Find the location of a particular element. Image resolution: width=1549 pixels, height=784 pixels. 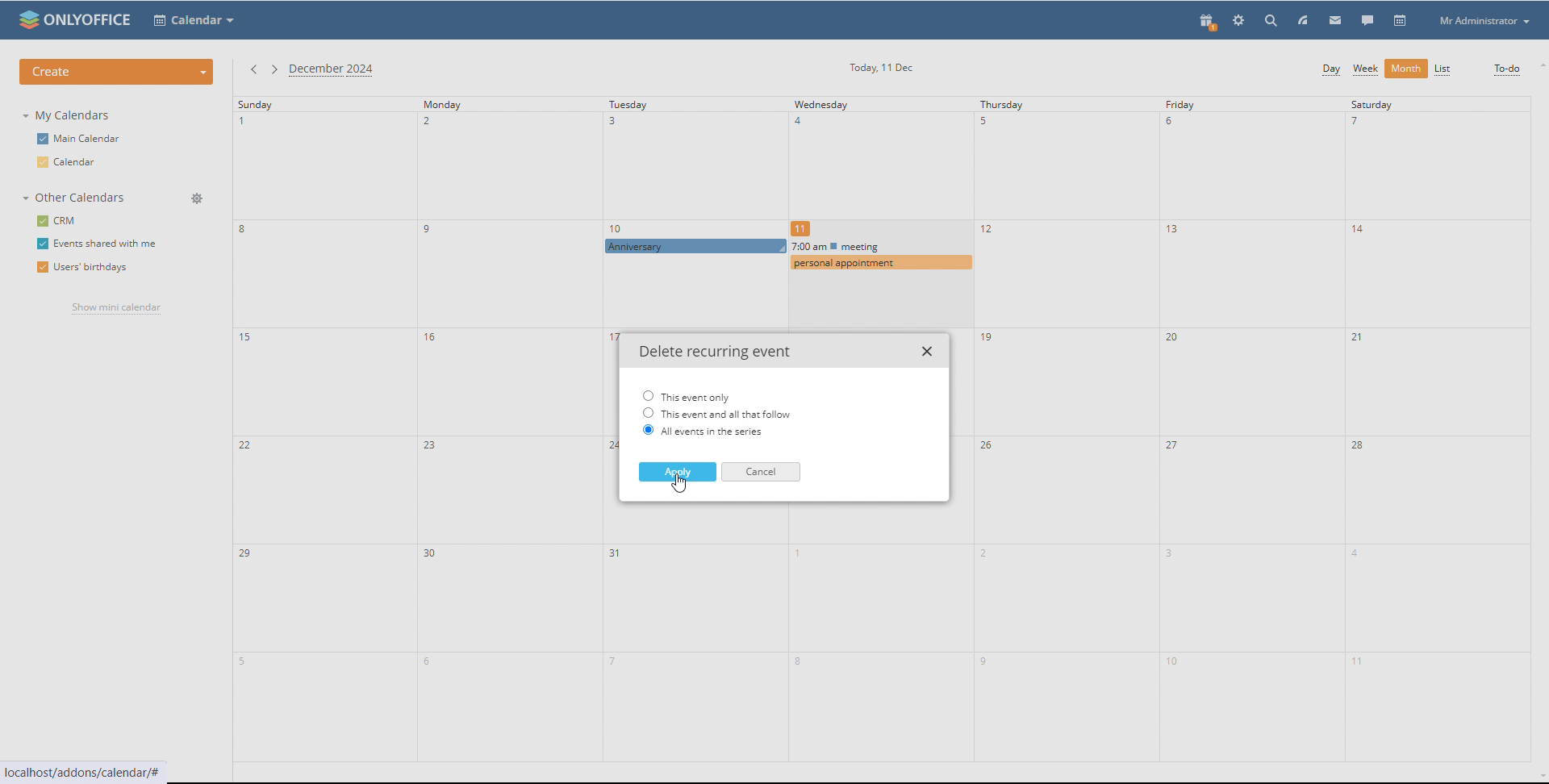

apply is located at coordinates (677, 472).